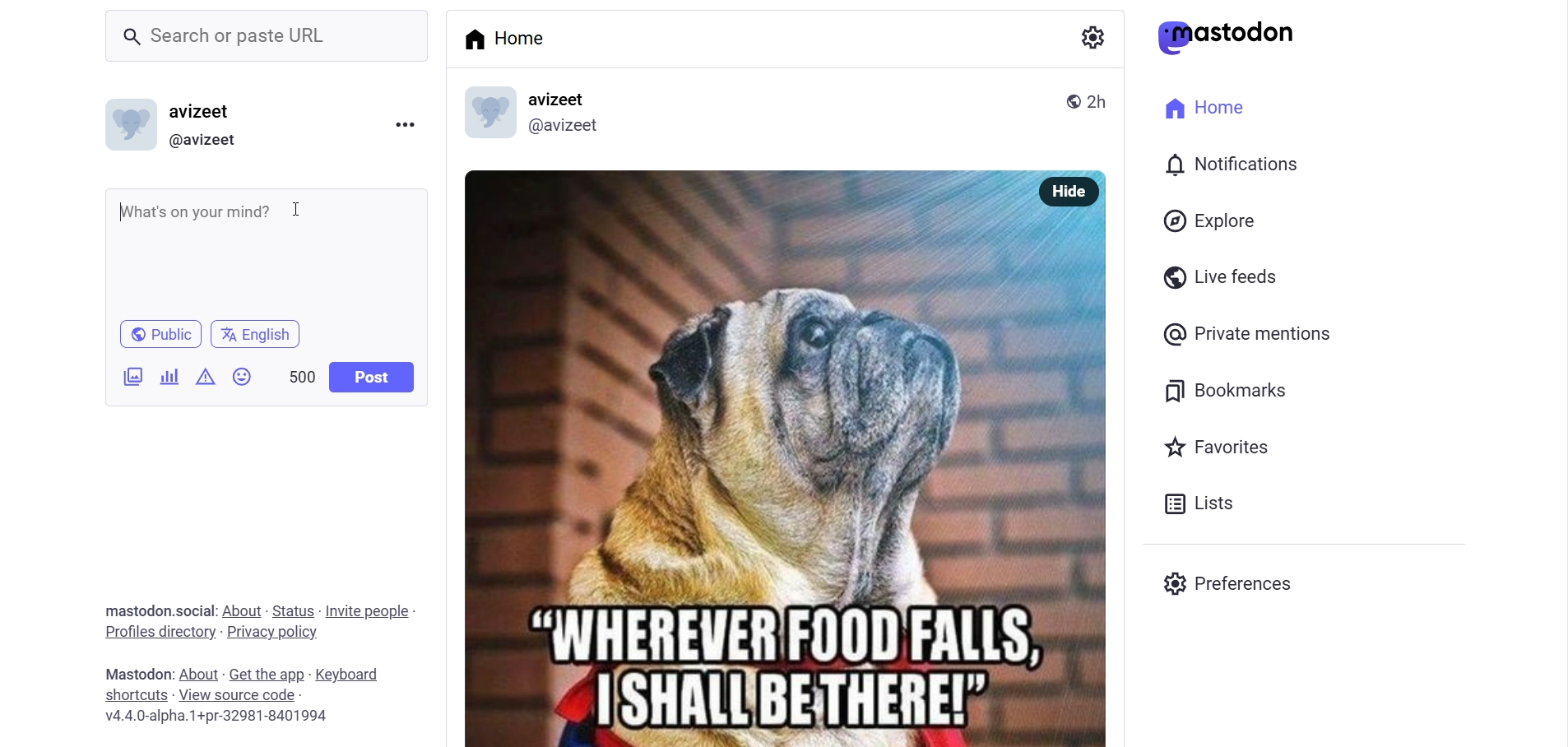 This screenshot has width=1568, height=747. Describe the element at coordinates (1237, 583) in the screenshot. I see `Preferences` at that location.